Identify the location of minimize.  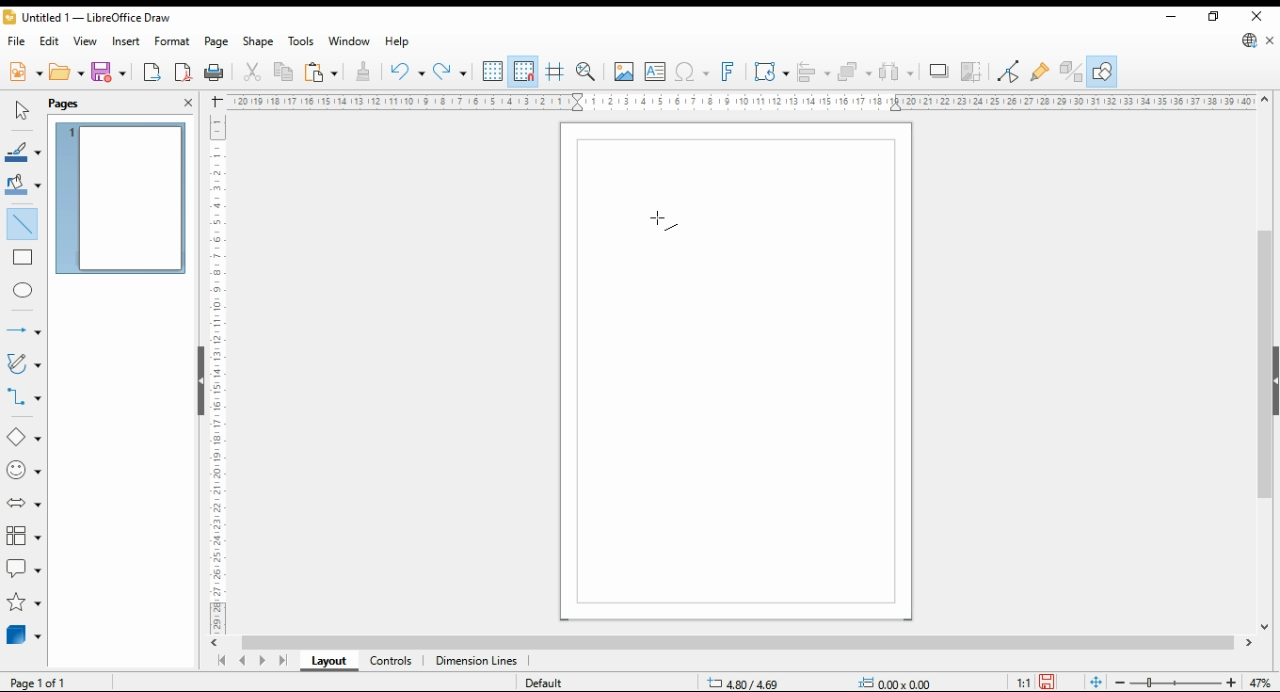
(1171, 17).